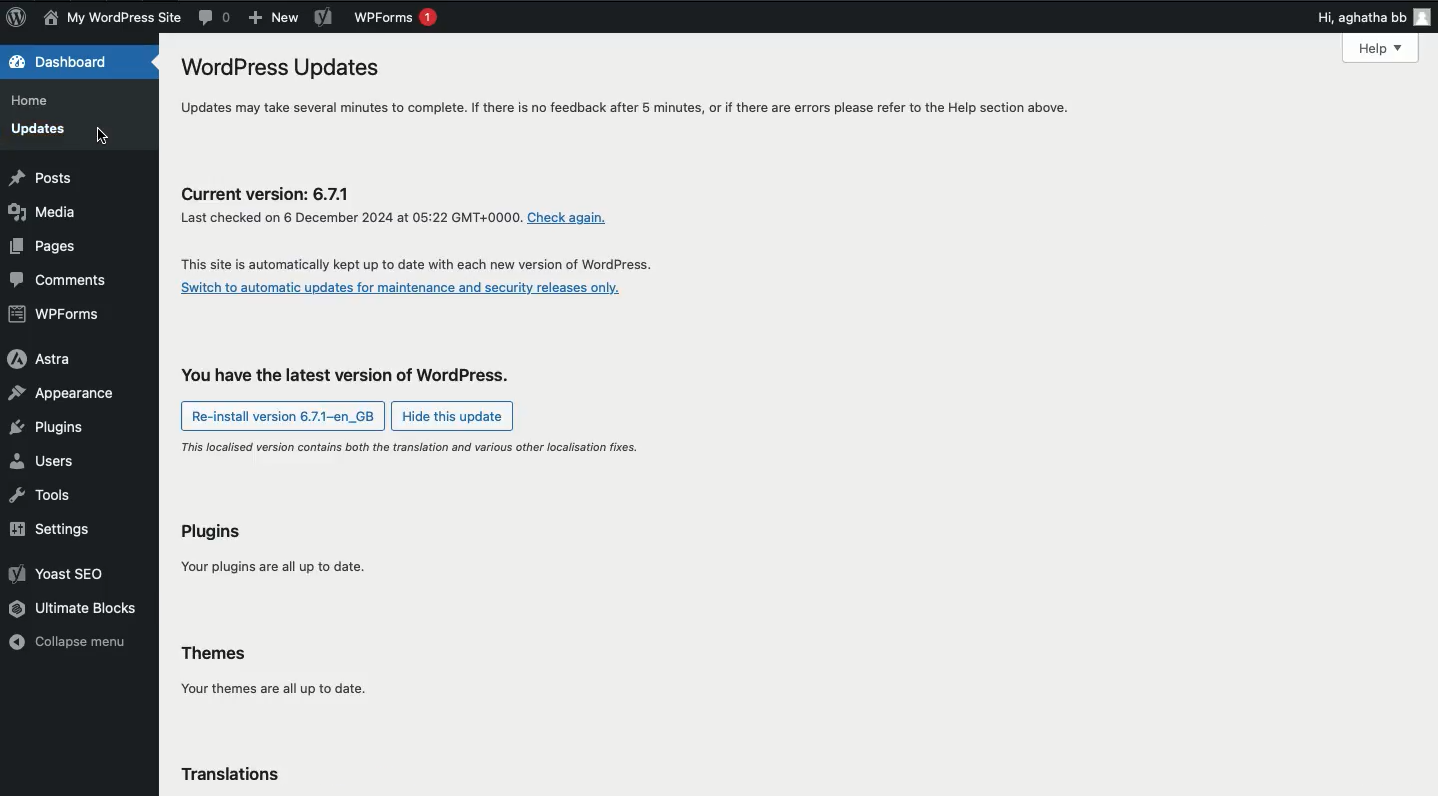 The image size is (1438, 796). I want to click on Astra, so click(39, 359).